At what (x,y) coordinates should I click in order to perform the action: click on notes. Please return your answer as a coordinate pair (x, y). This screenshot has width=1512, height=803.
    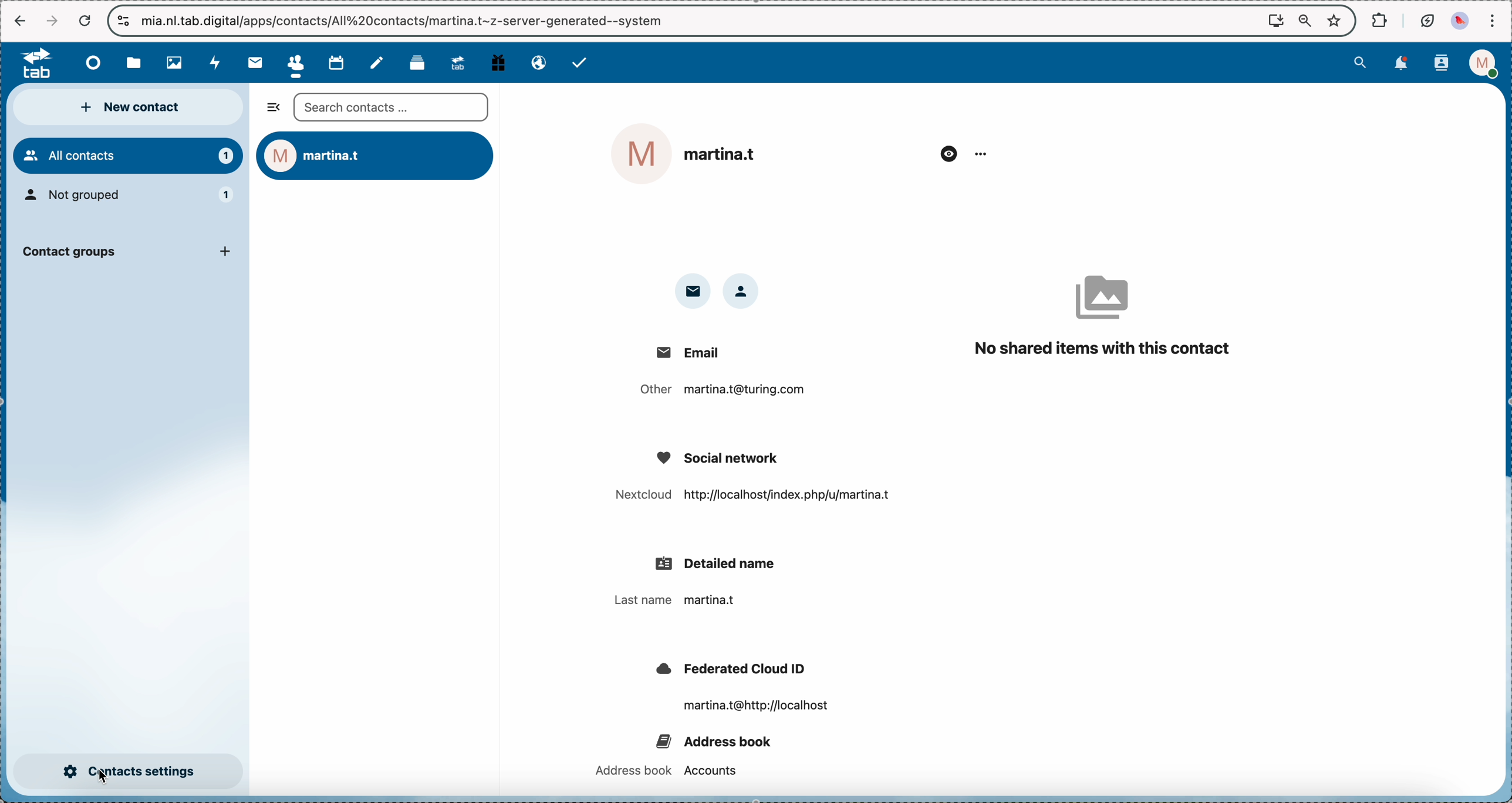
    Looking at the image, I should click on (379, 63).